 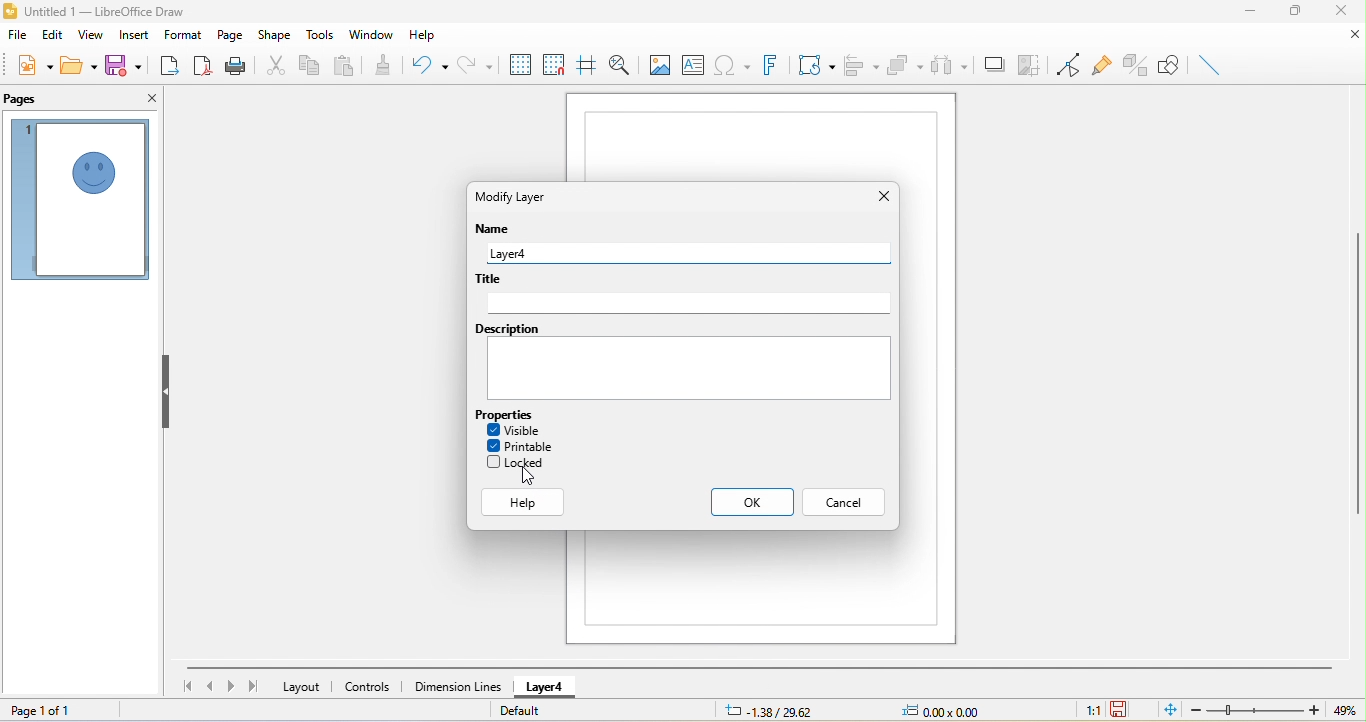 What do you see at coordinates (18, 38) in the screenshot?
I see `file` at bounding box center [18, 38].